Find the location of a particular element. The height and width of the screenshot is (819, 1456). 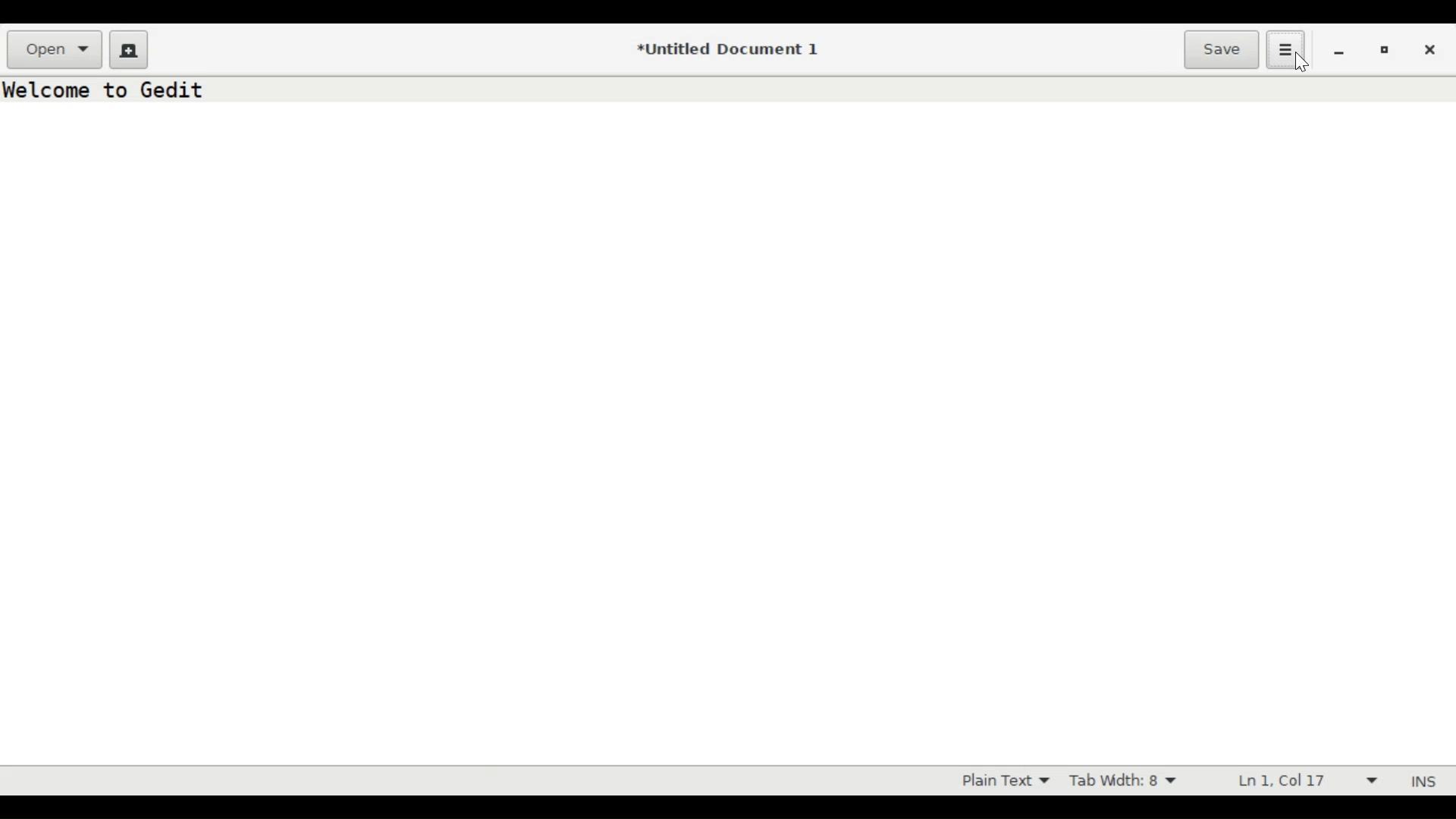

cursor is located at coordinates (1302, 63).